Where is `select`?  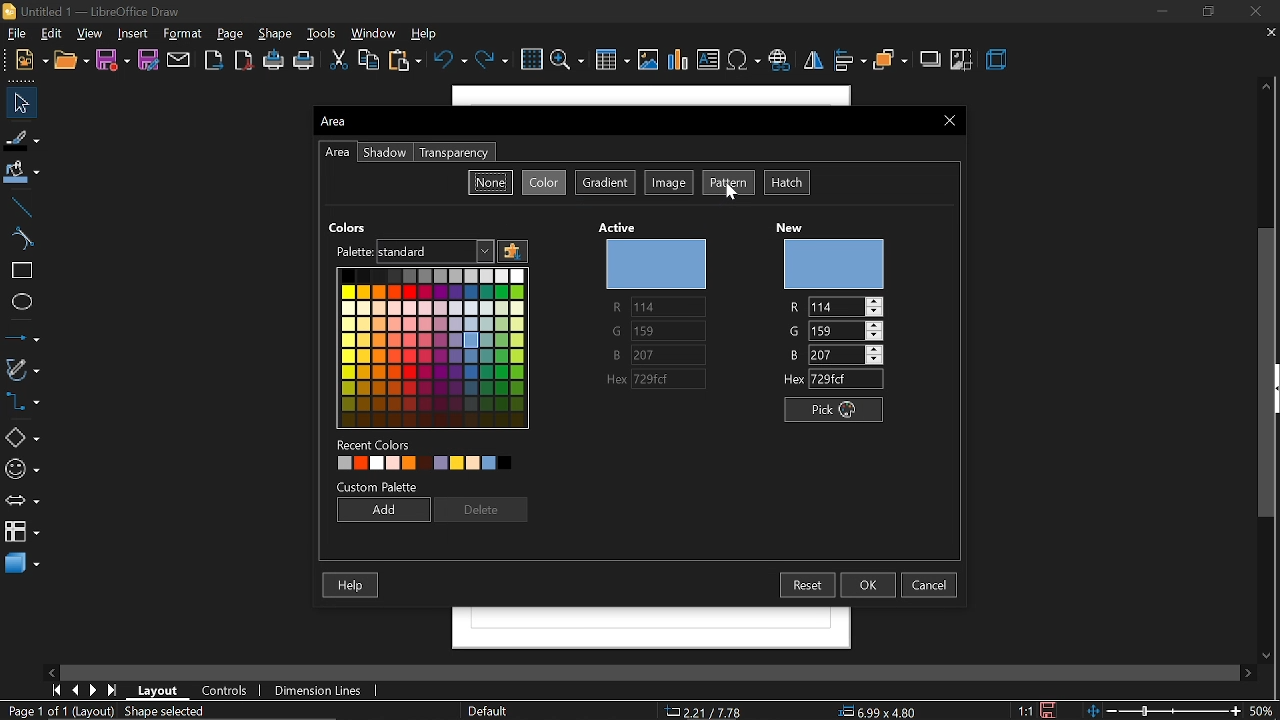 select is located at coordinates (21, 102).